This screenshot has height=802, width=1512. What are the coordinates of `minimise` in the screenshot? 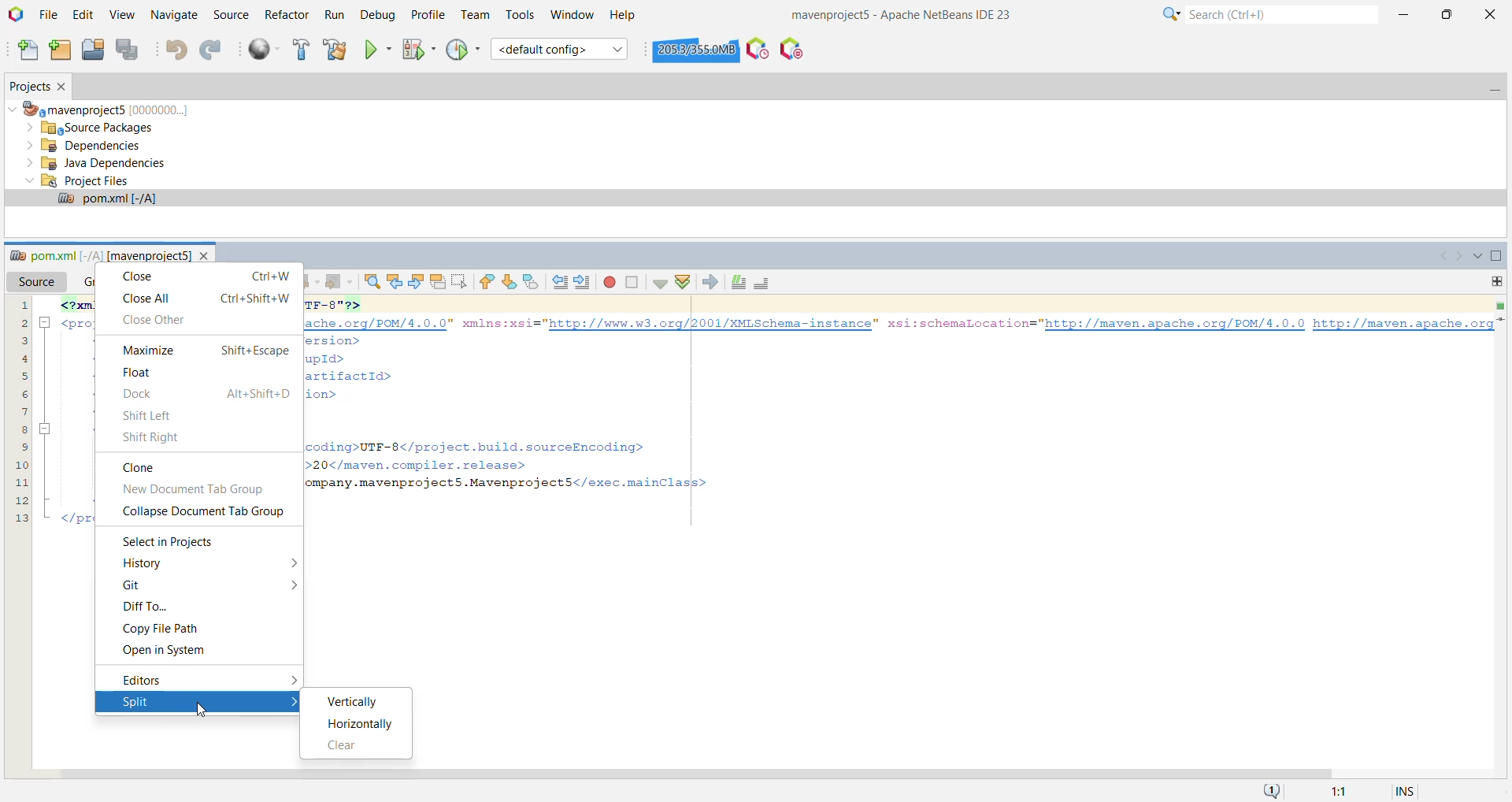 It's located at (47, 428).